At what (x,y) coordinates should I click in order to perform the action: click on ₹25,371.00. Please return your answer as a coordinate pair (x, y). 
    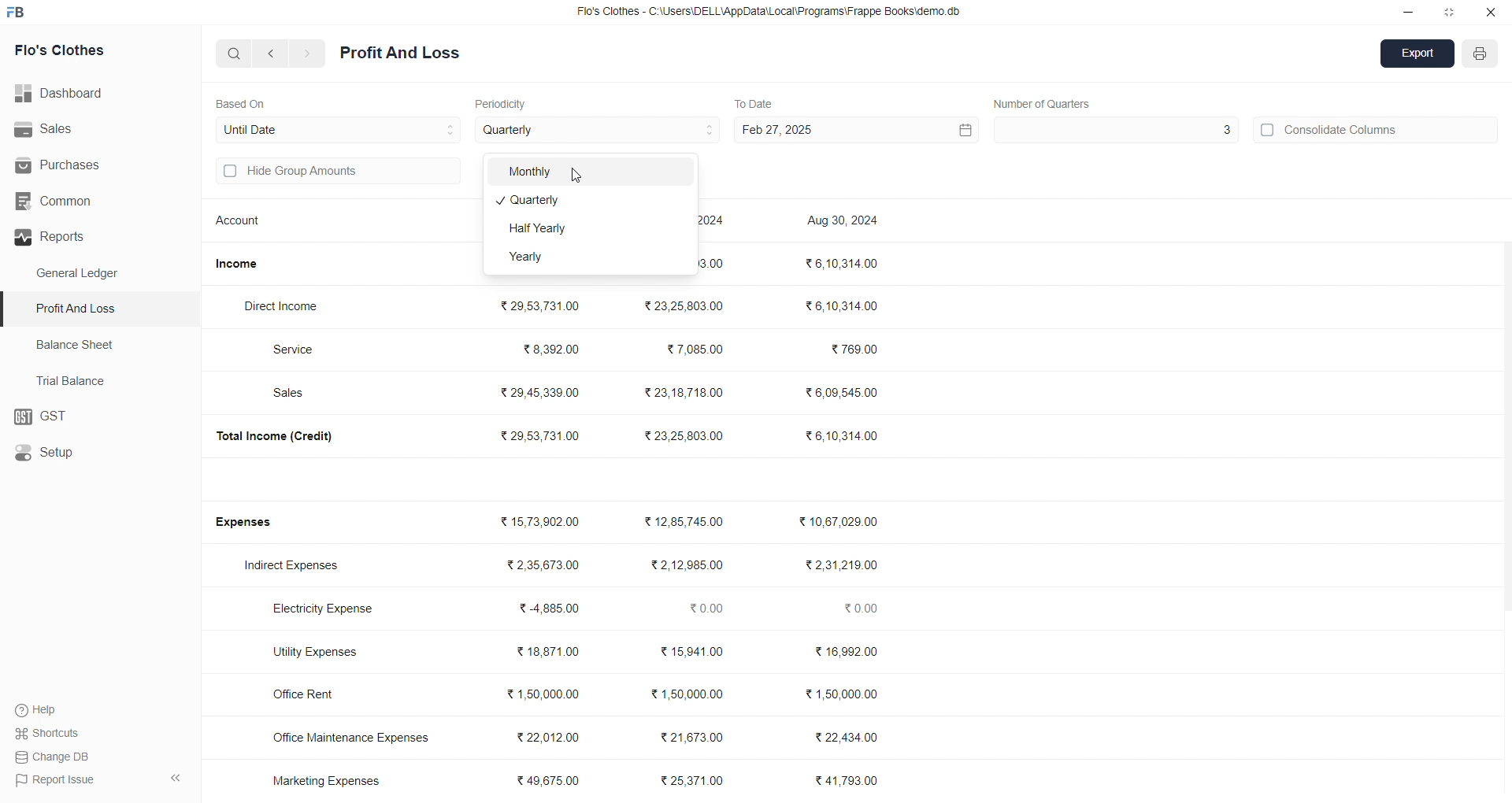
    Looking at the image, I should click on (695, 781).